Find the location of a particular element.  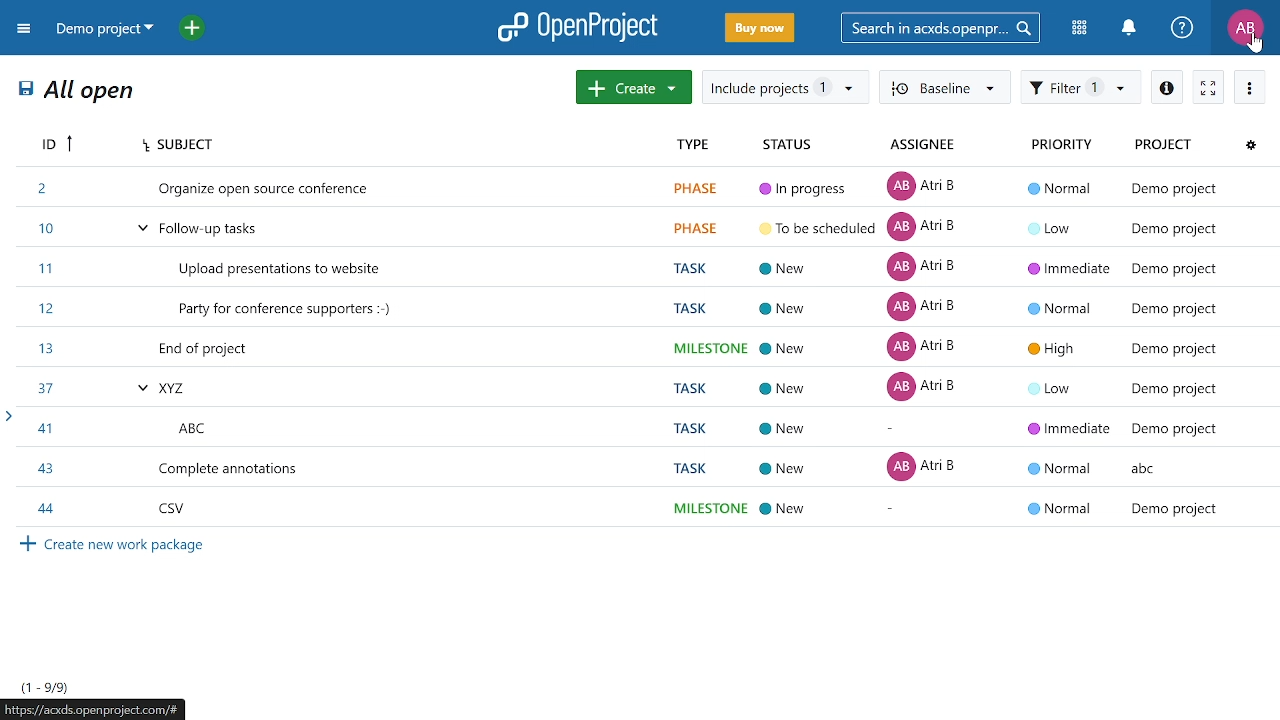

Open Menu is located at coordinates (27, 32).